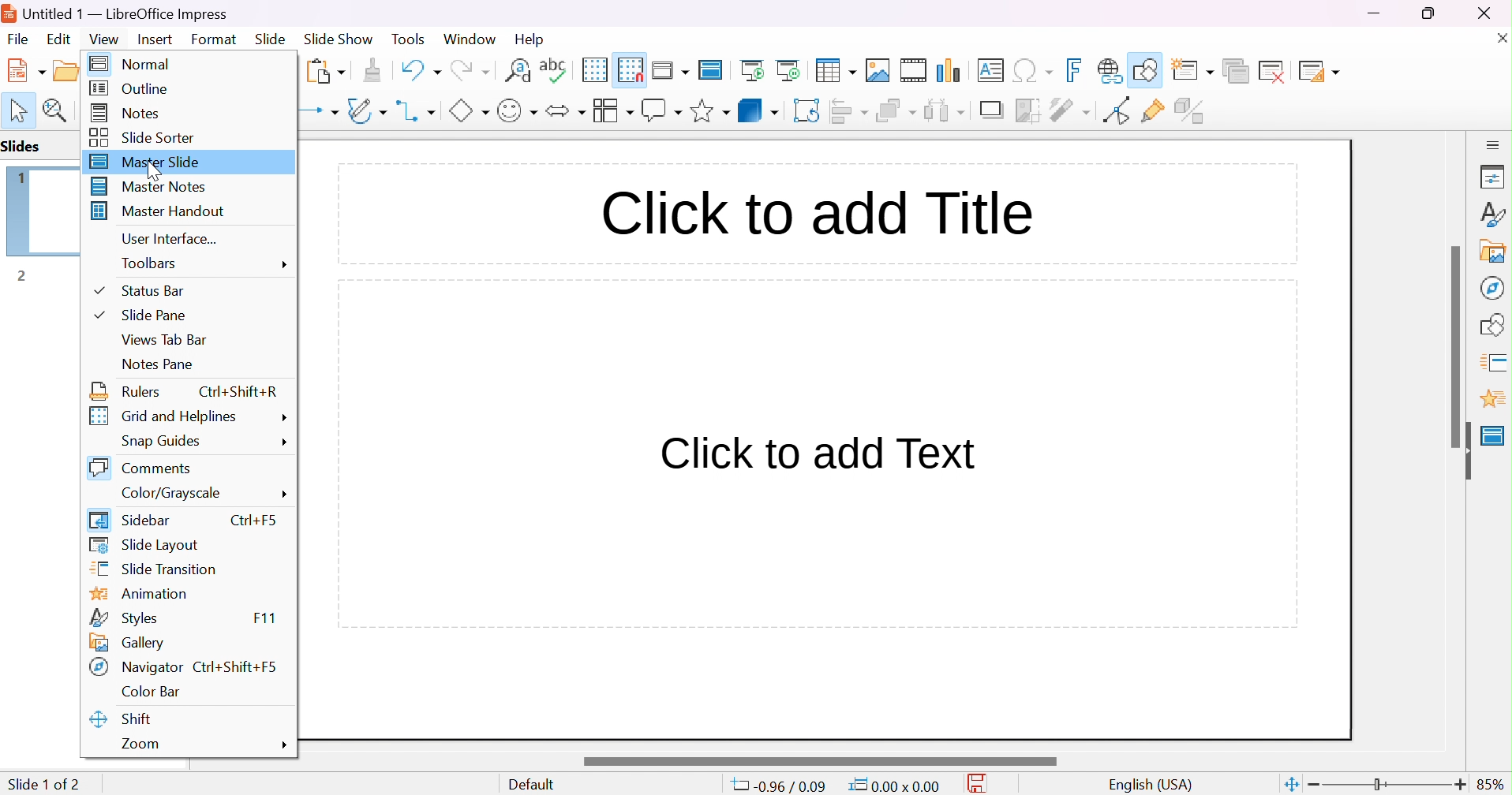  I want to click on color/grayscale, so click(173, 494).